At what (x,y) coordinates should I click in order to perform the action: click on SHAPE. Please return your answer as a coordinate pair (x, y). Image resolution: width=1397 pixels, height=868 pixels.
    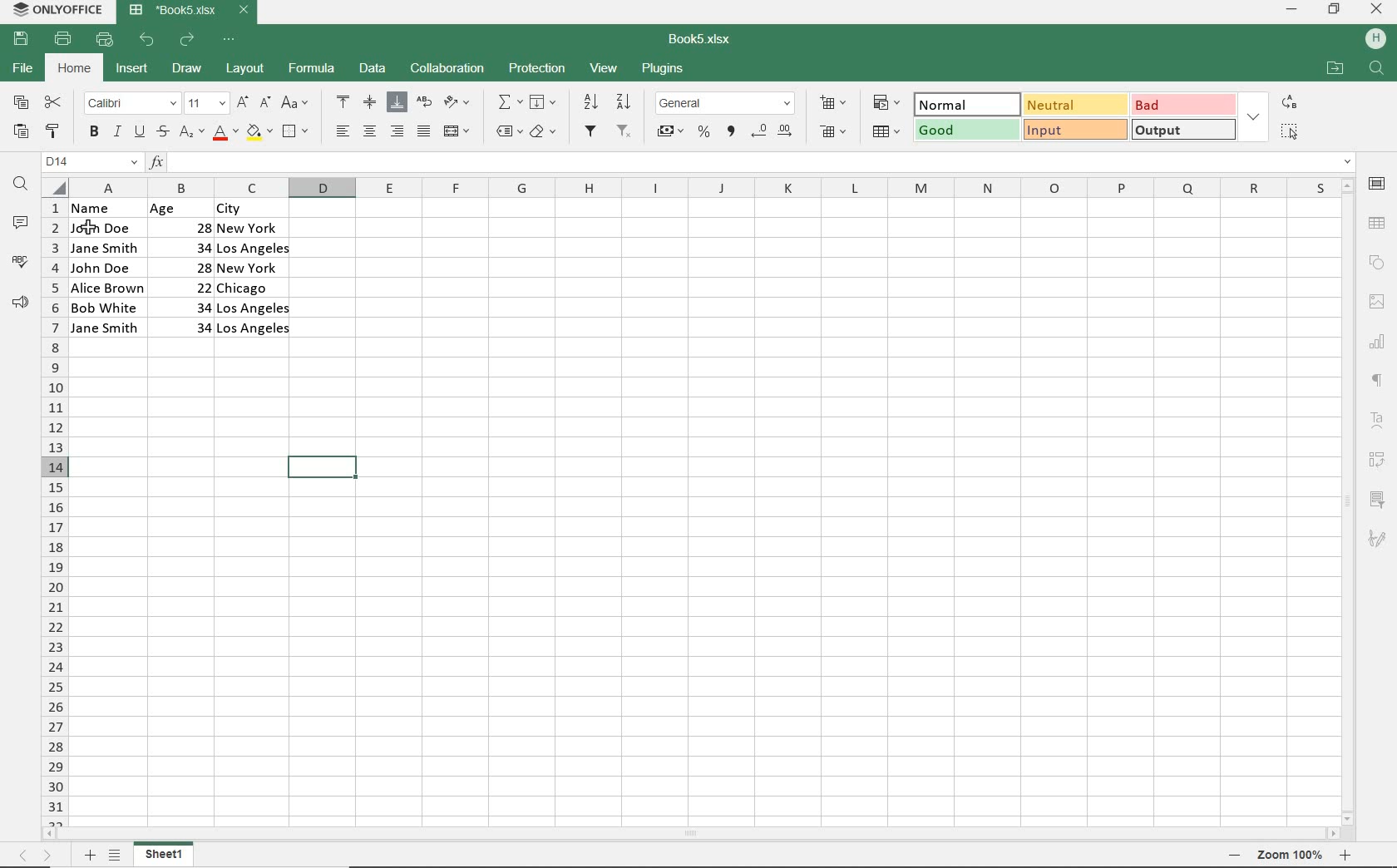
    Looking at the image, I should click on (1376, 263).